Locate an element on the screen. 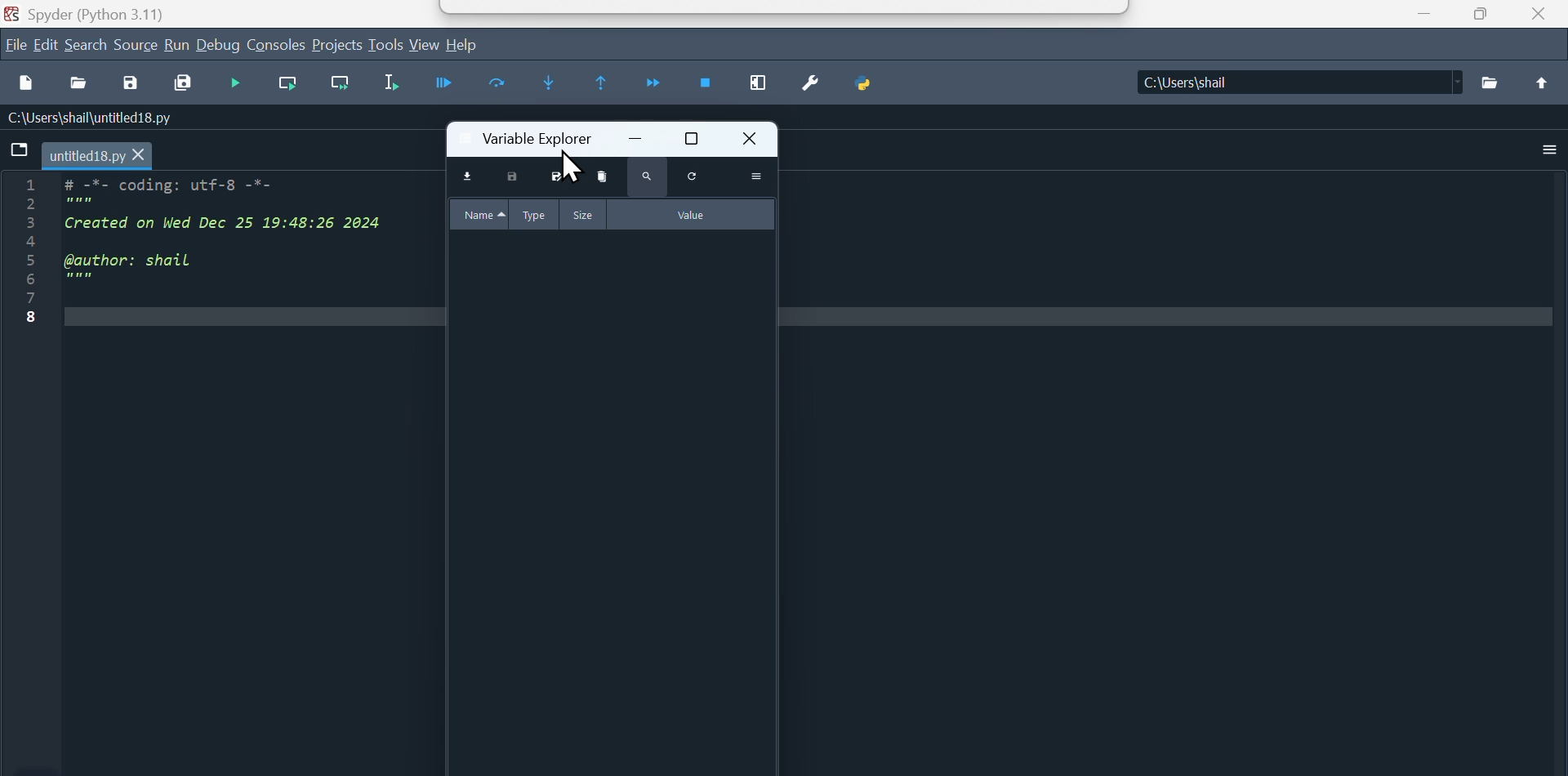 The height and width of the screenshot is (776, 1568). maximize is located at coordinates (691, 138).